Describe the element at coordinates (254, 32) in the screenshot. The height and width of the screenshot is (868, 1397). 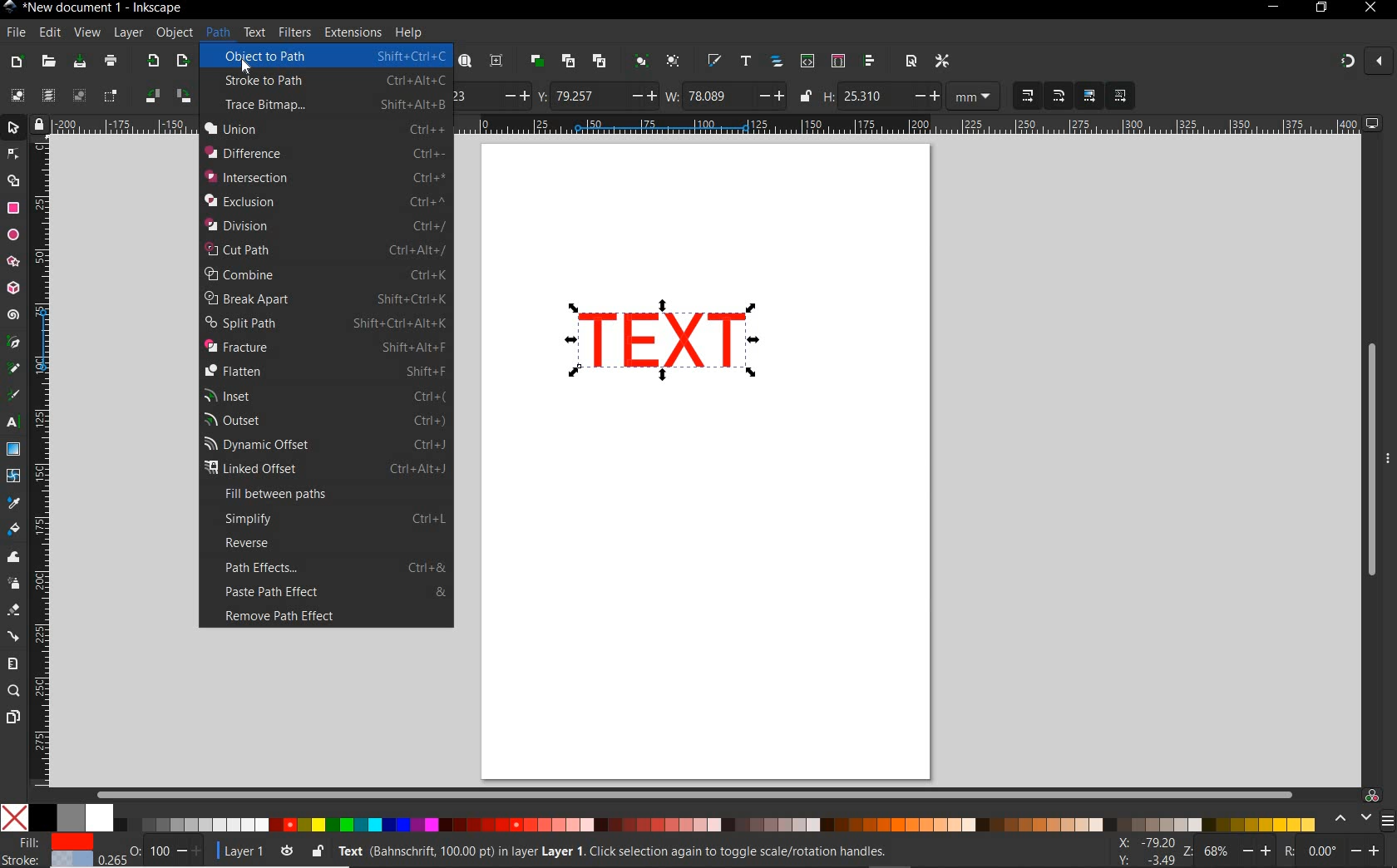
I see `TEXT` at that location.